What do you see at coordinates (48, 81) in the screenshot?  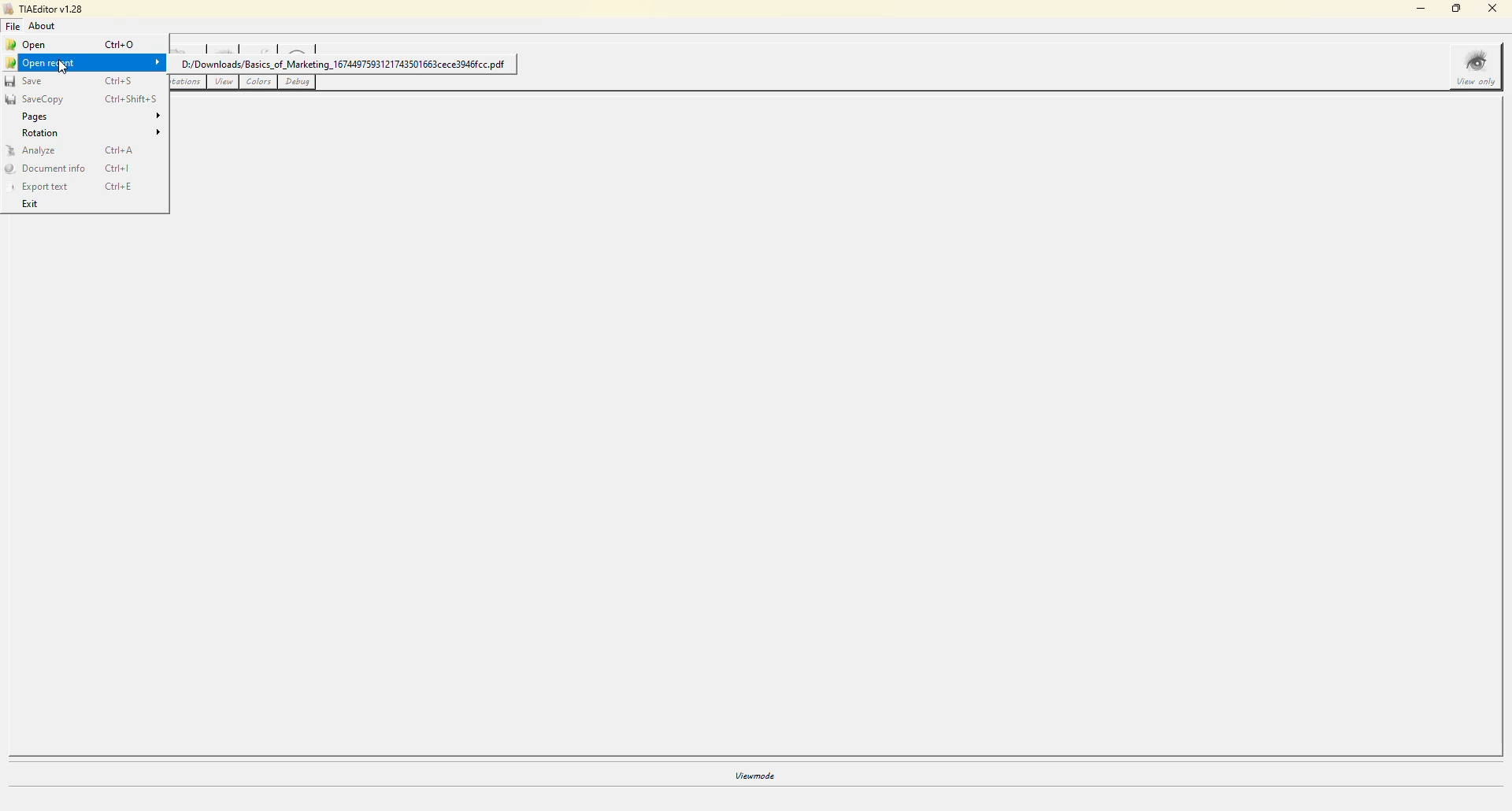 I see `save` at bounding box center [48, 81].